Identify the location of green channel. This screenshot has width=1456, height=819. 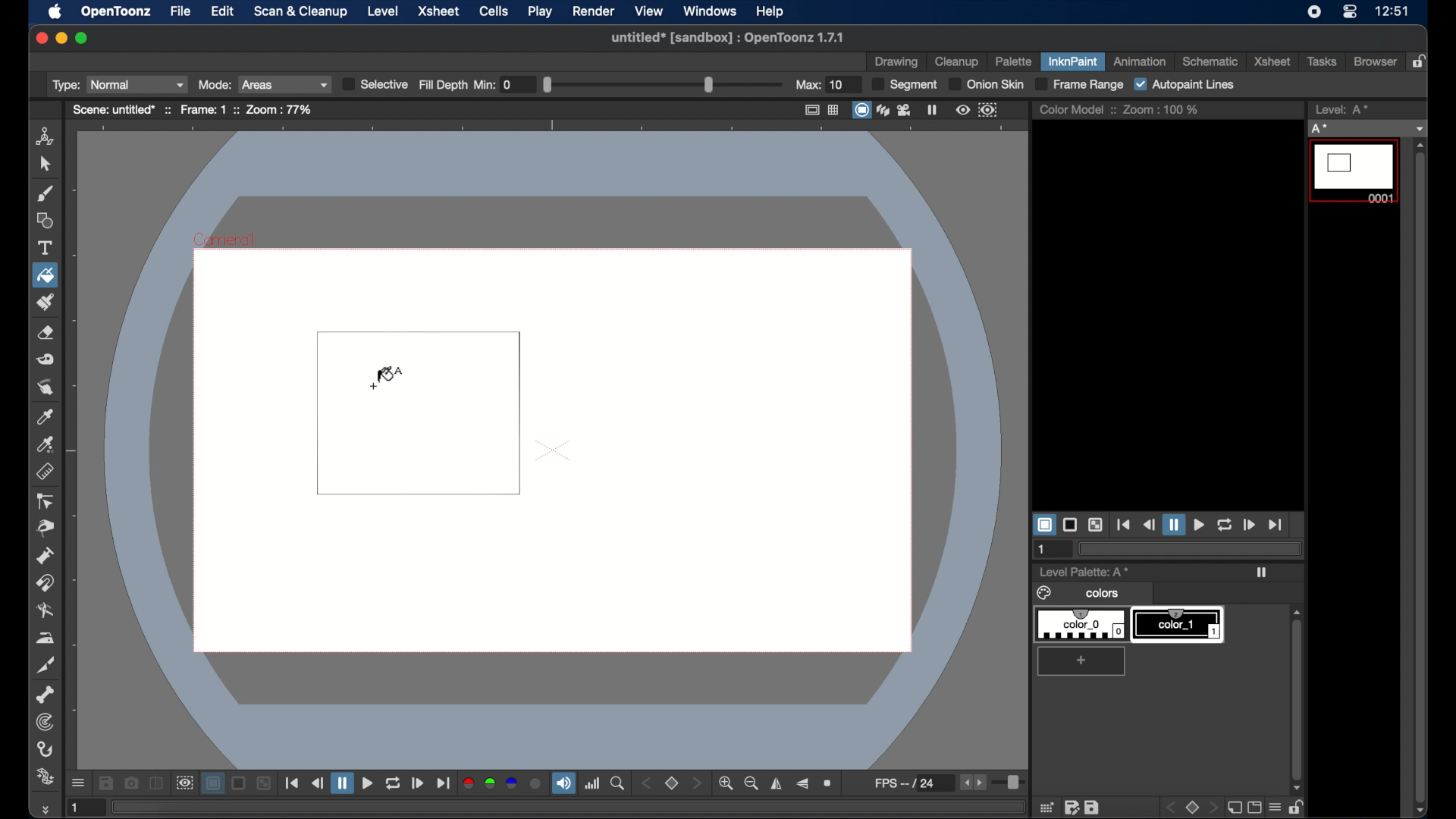
(491, 783).